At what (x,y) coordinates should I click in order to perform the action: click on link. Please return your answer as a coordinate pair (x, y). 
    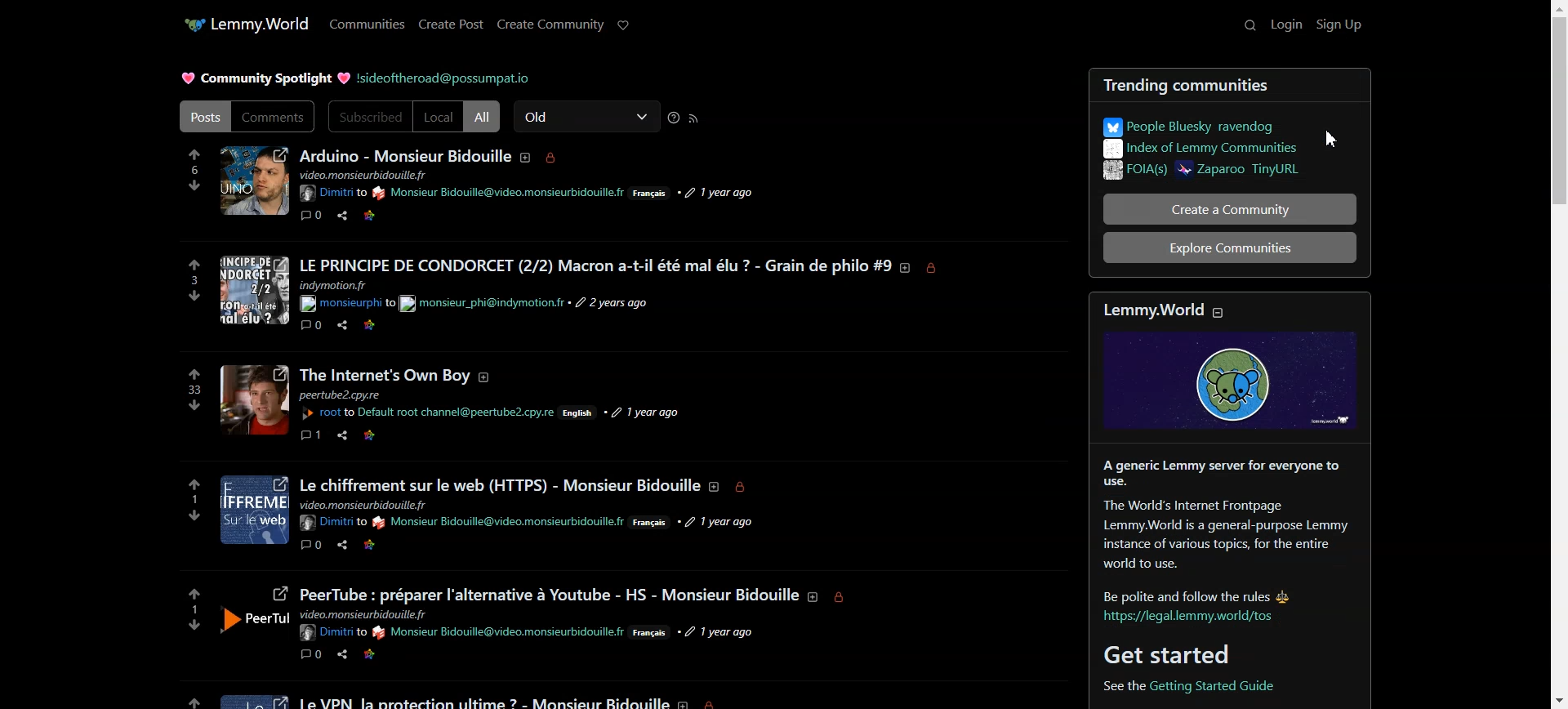
    Looking at the image, I should click on (369, 328).